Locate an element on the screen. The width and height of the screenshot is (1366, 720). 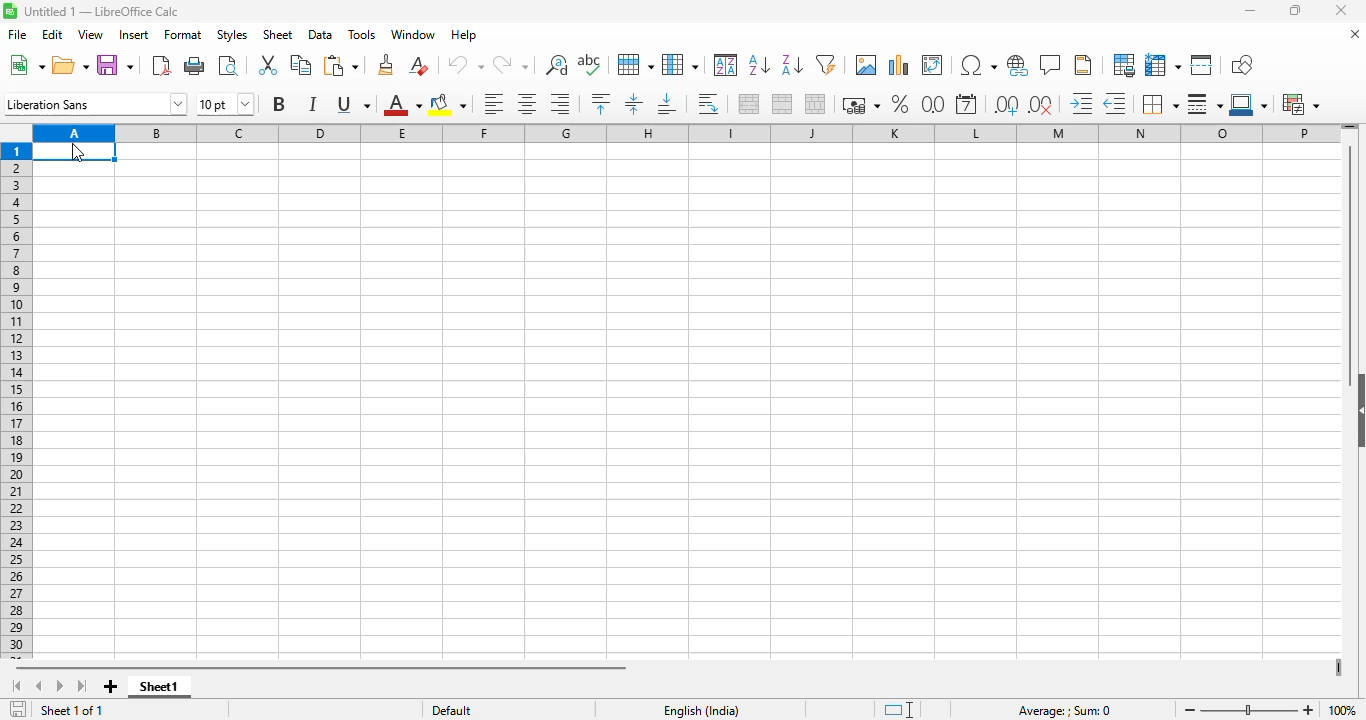
format as date is located at coordinates (966, 104).